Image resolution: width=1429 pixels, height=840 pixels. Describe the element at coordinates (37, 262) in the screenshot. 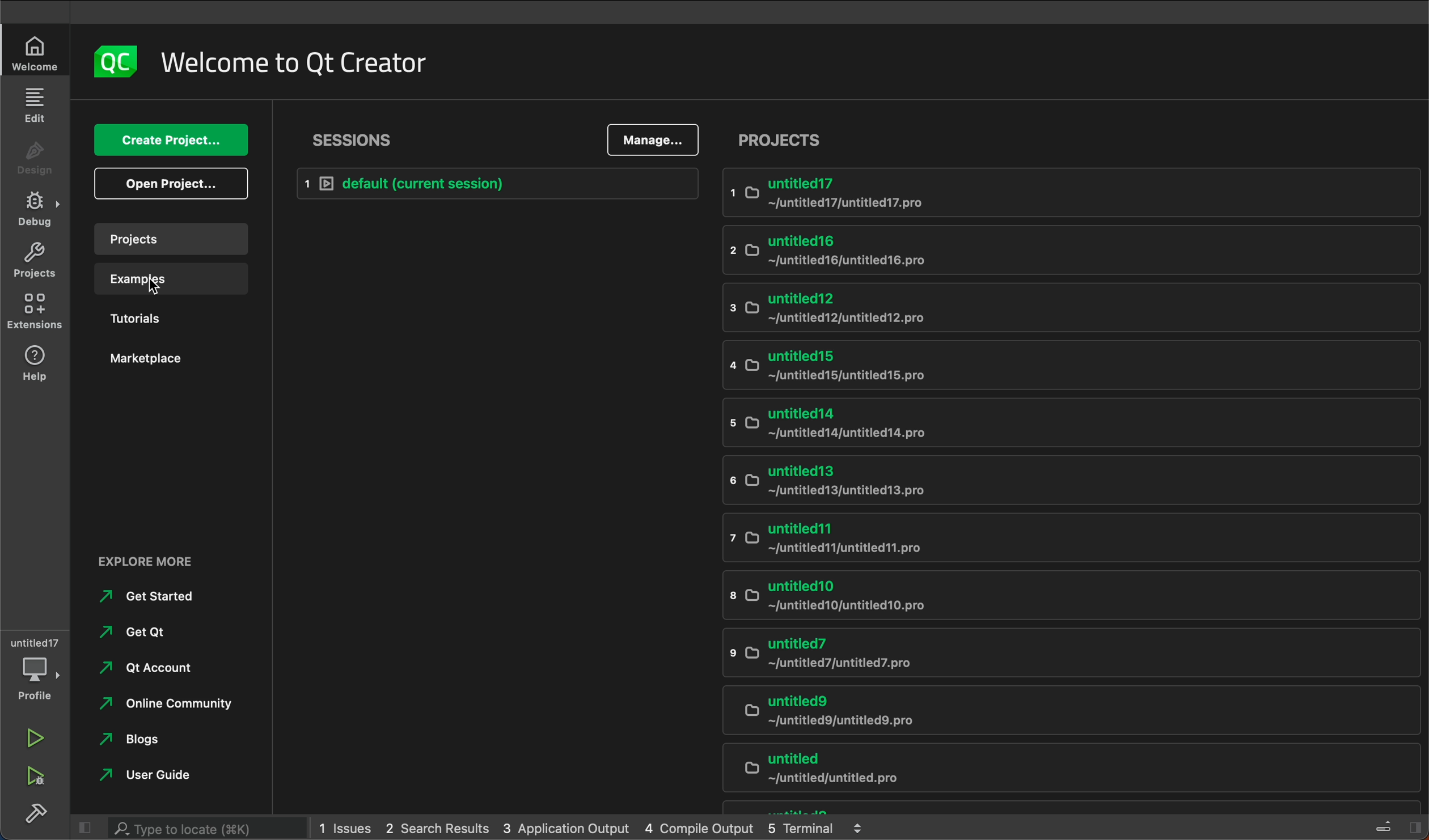

I see `projects` at that location.